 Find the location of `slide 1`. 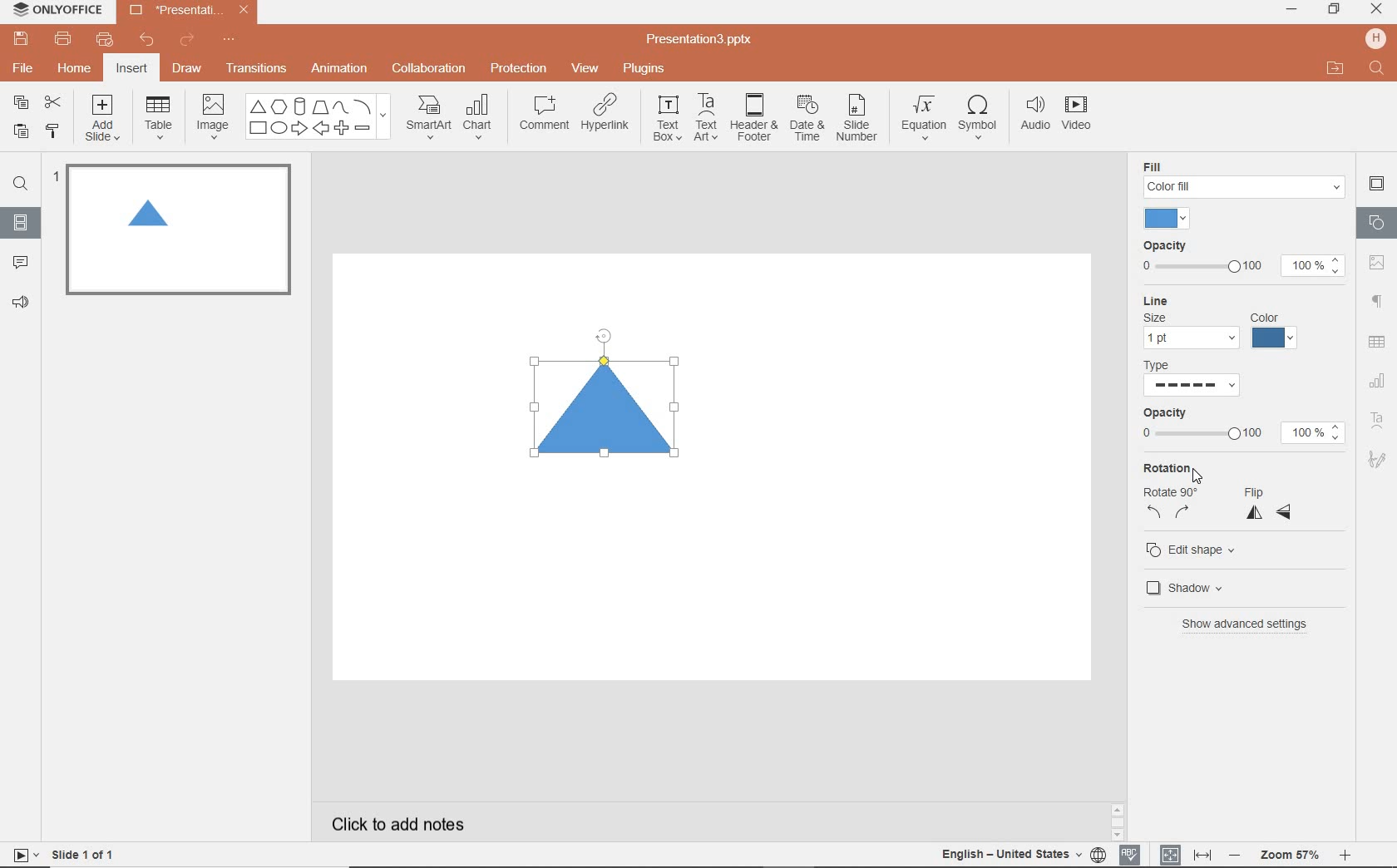

slide 1 is located at coordinates (175, 229).